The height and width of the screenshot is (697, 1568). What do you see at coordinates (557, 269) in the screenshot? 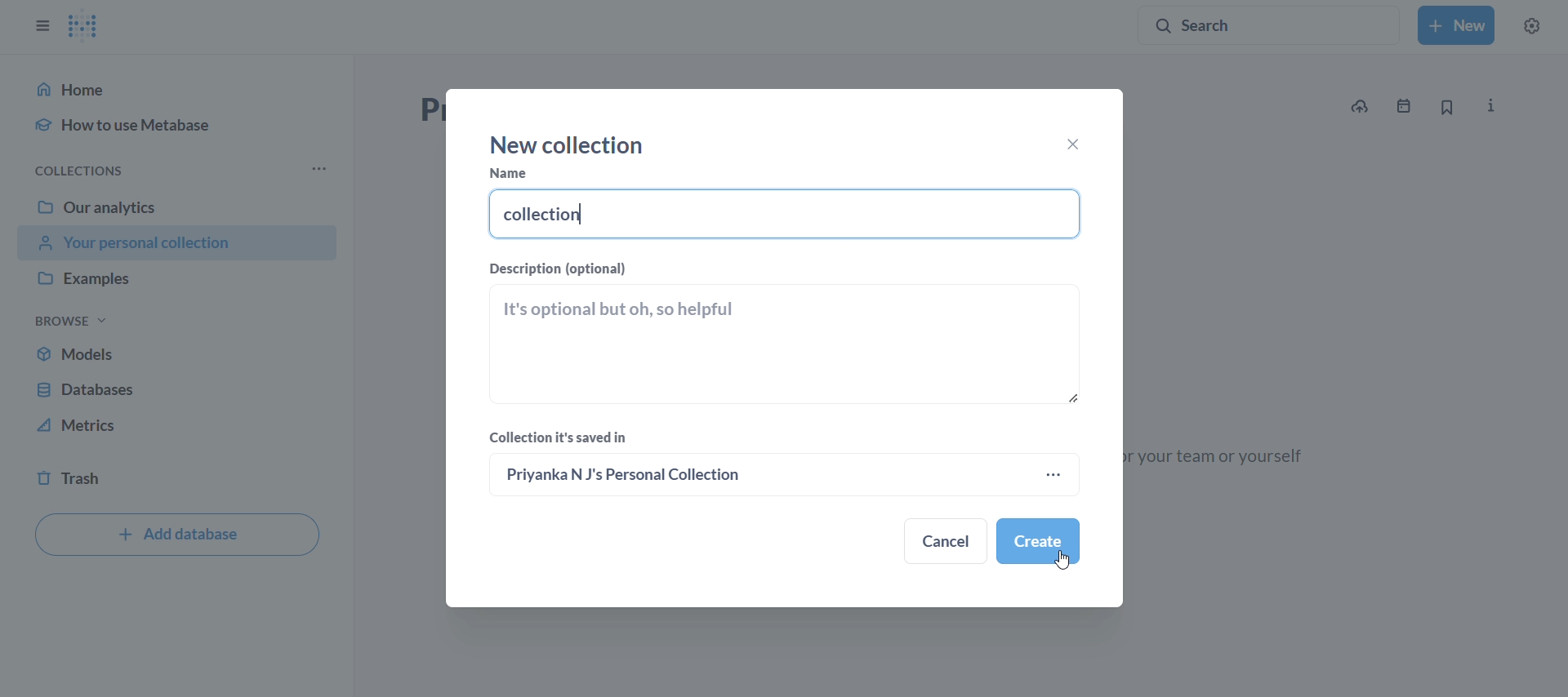
I see `Description(OPTIONAL)` at bounding box center [557, 269].